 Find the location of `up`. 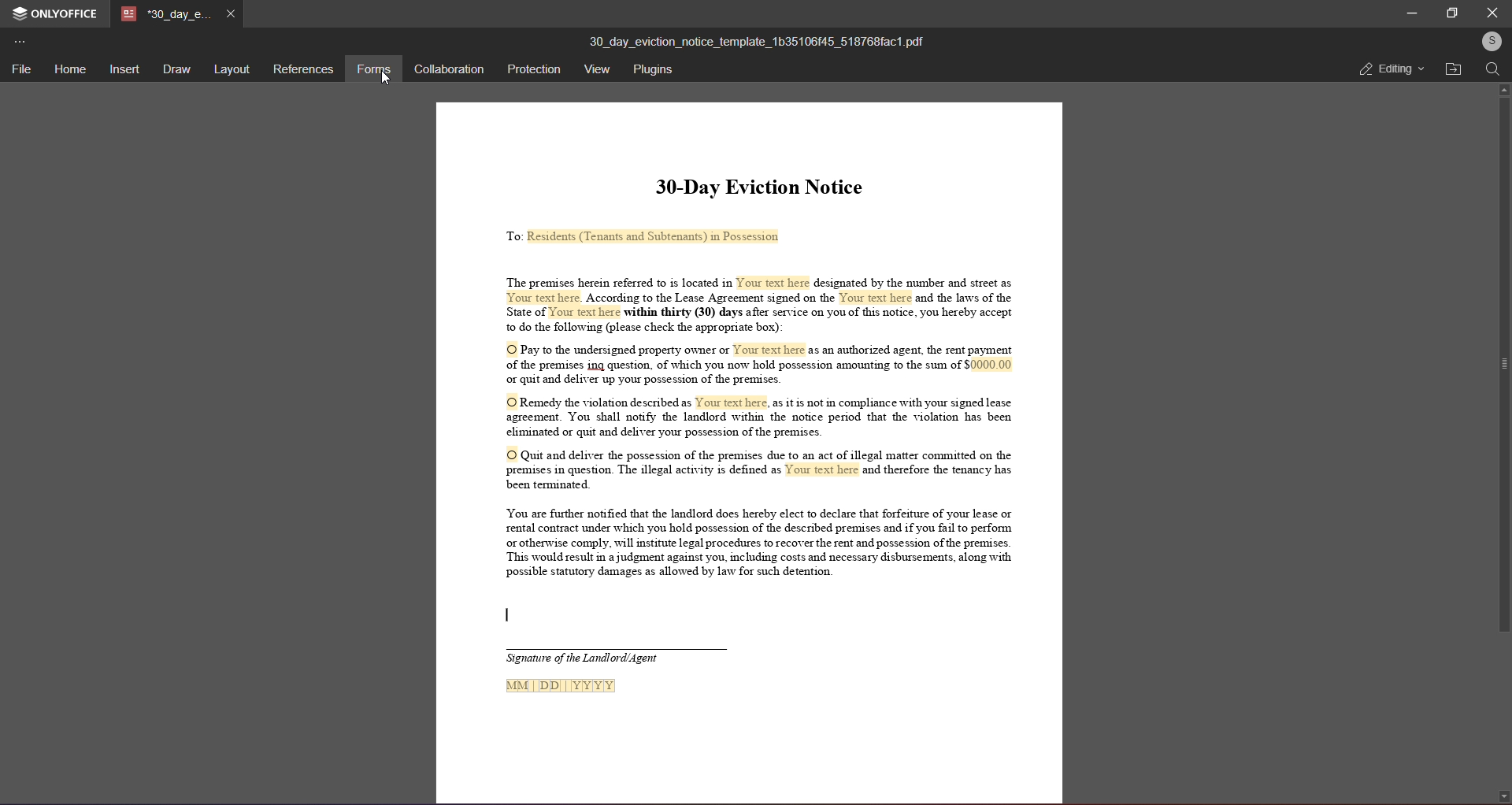

up is located at coordinates (1500, 91).